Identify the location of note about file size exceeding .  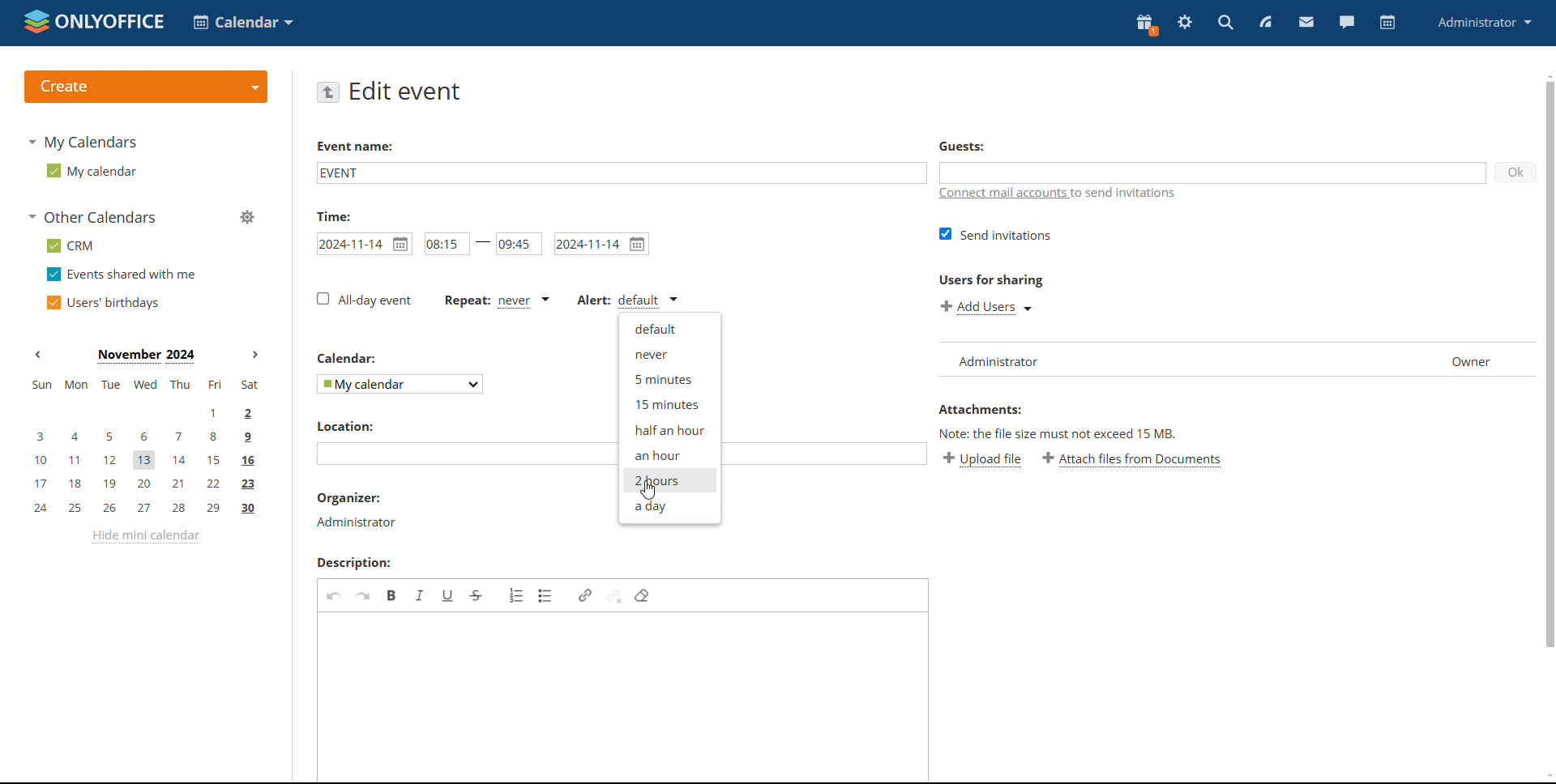
(1062, 435).